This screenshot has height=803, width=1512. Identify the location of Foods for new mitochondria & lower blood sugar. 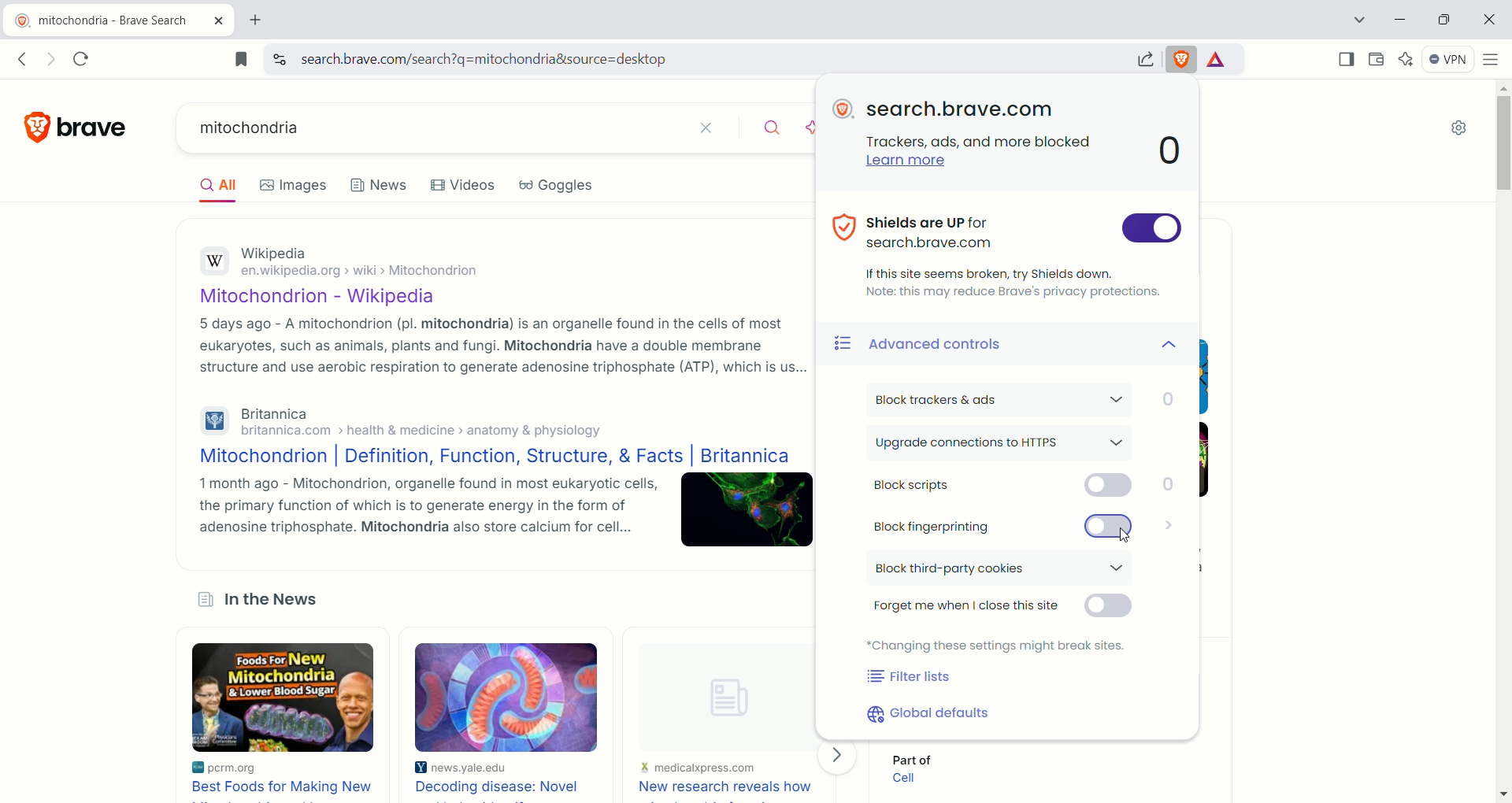
(285, 698).